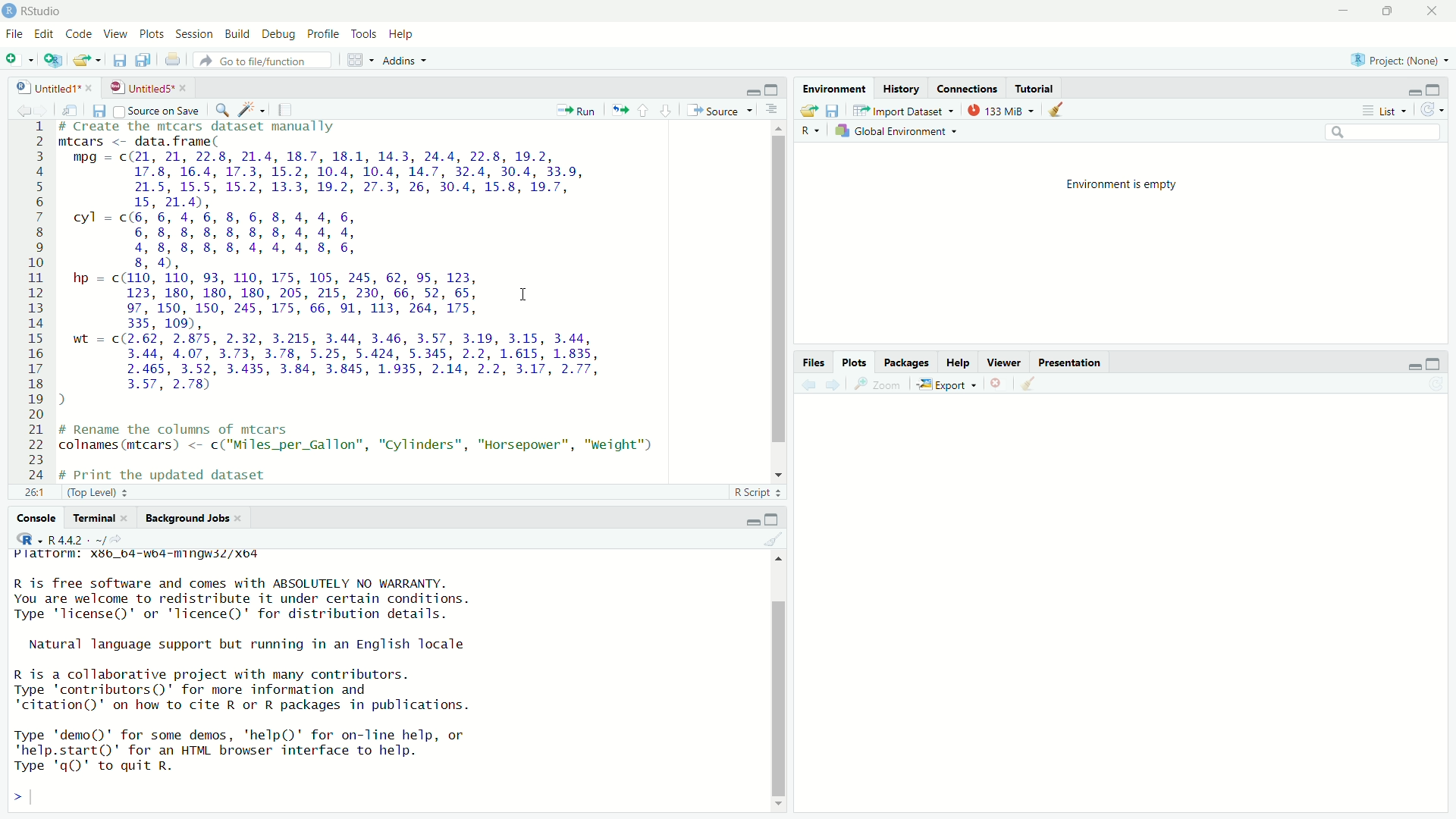  Describe the element at coordinates (833, 111) in the screenshot. I see `save` at that location.